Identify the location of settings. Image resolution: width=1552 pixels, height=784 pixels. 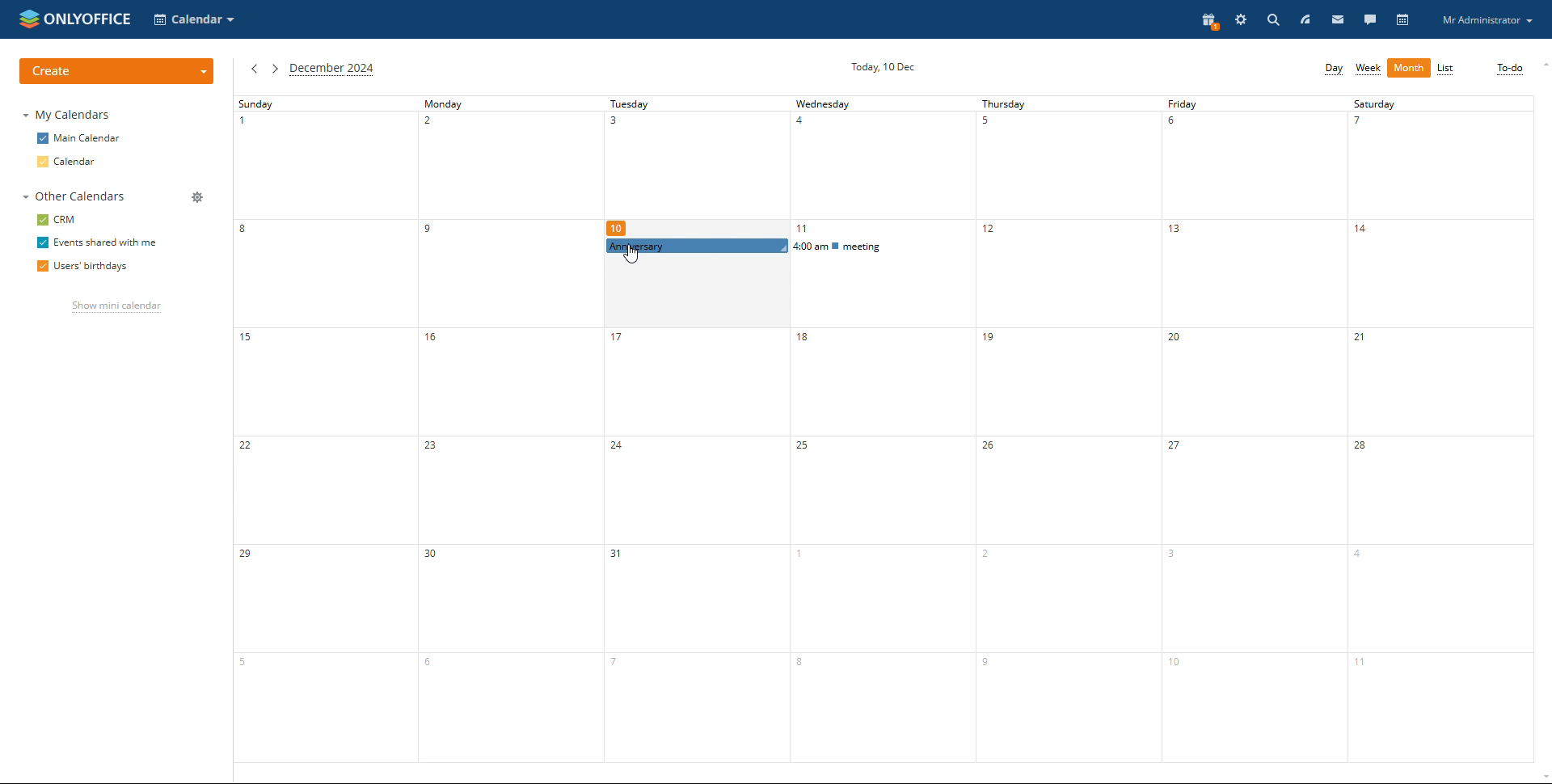
(1242, 19).